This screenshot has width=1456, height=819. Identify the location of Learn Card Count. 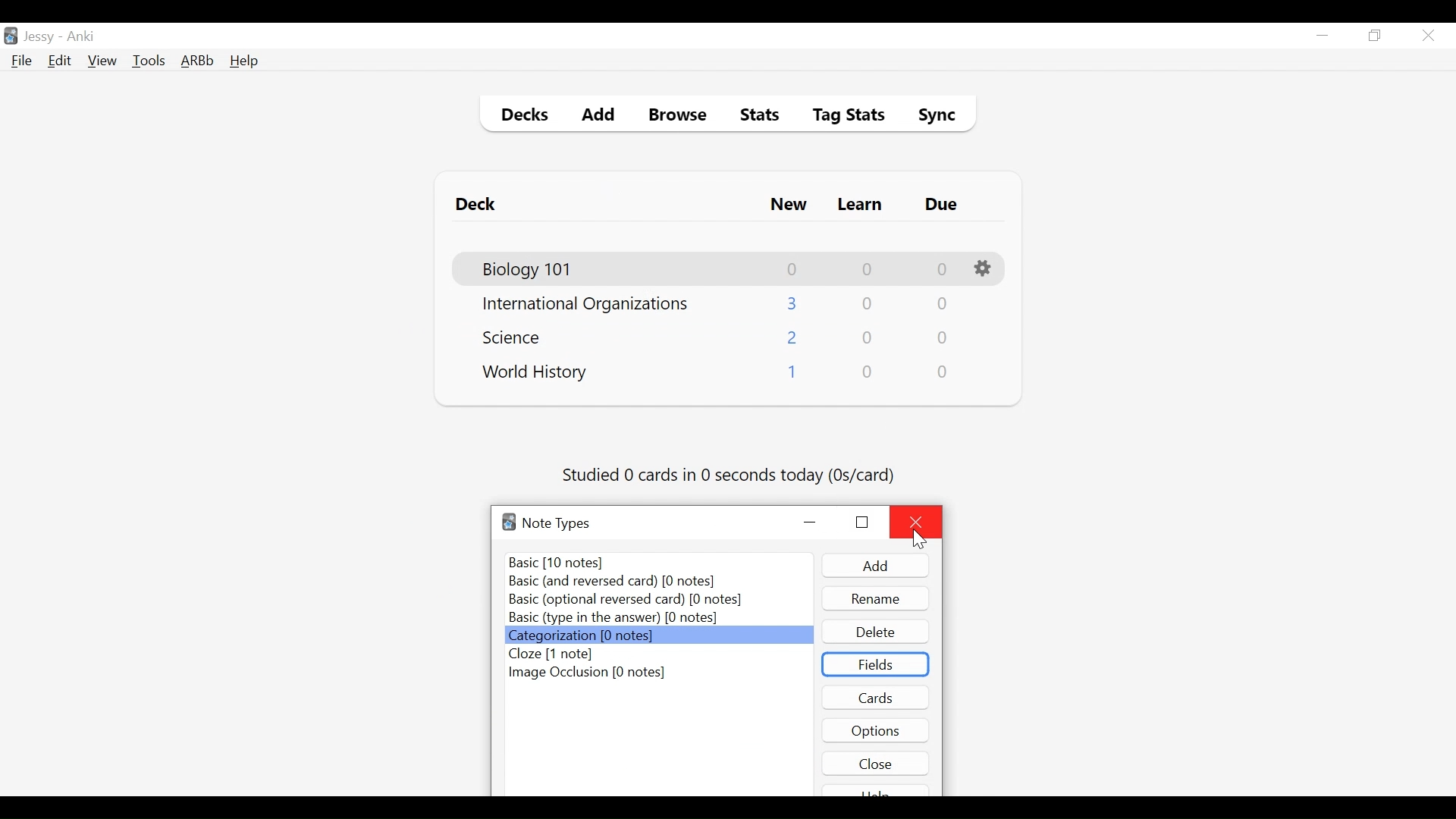
(868, 338).